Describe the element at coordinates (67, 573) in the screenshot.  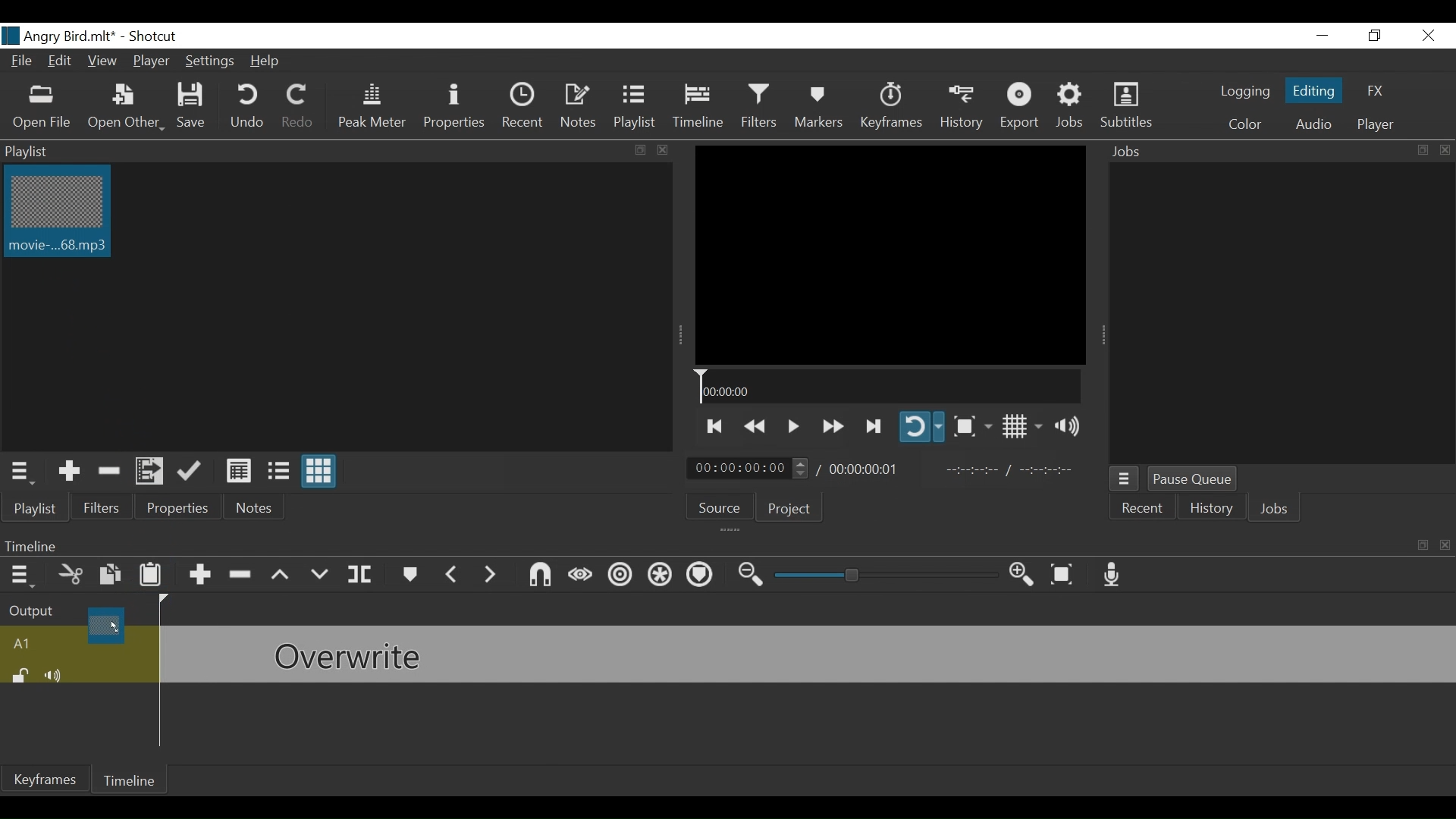
I see `Cut` at that location.